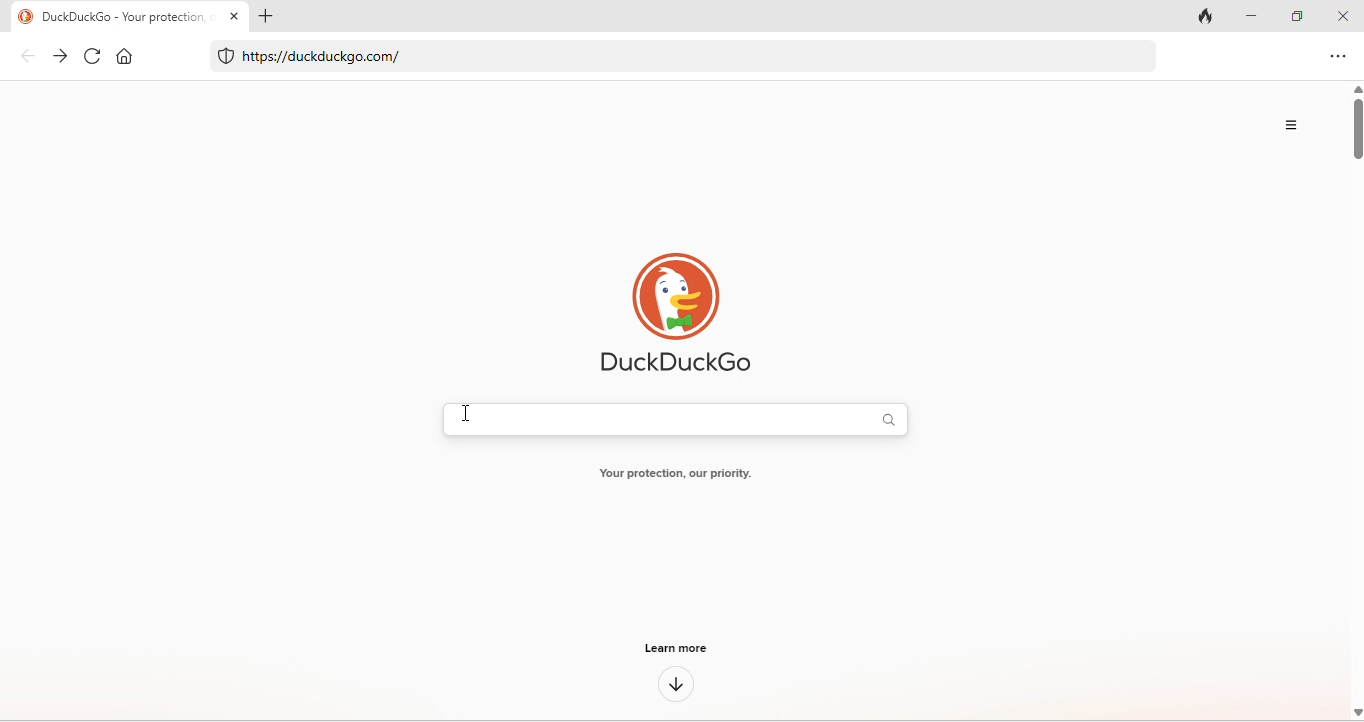  Describe the element at coordinates (1290, 123) in the screenshot. I see `option` at that location.